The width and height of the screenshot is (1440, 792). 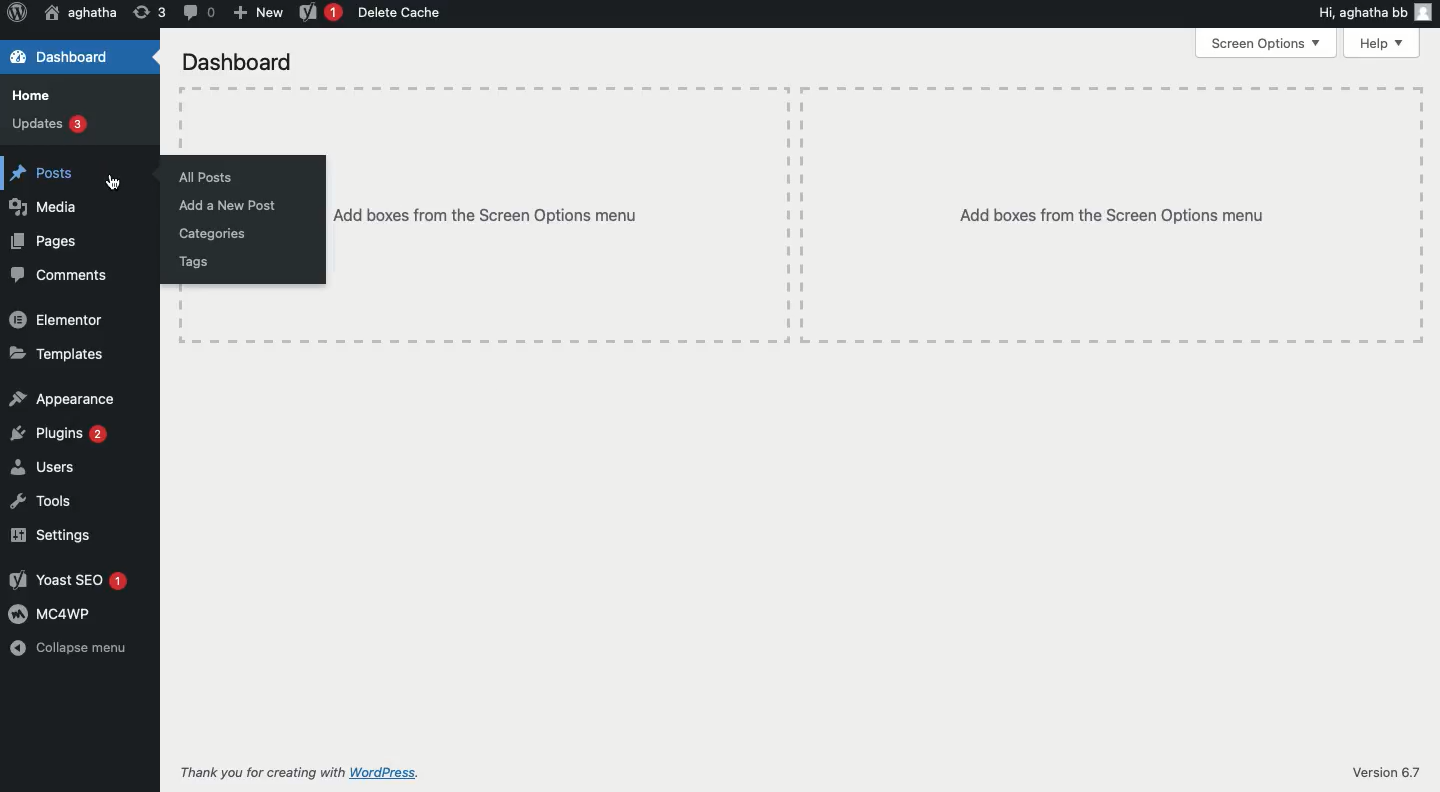 What do you see at coordinates (1264, 42) in the screenshot?
I see `Screen options` at bounding box center [1264, 42].